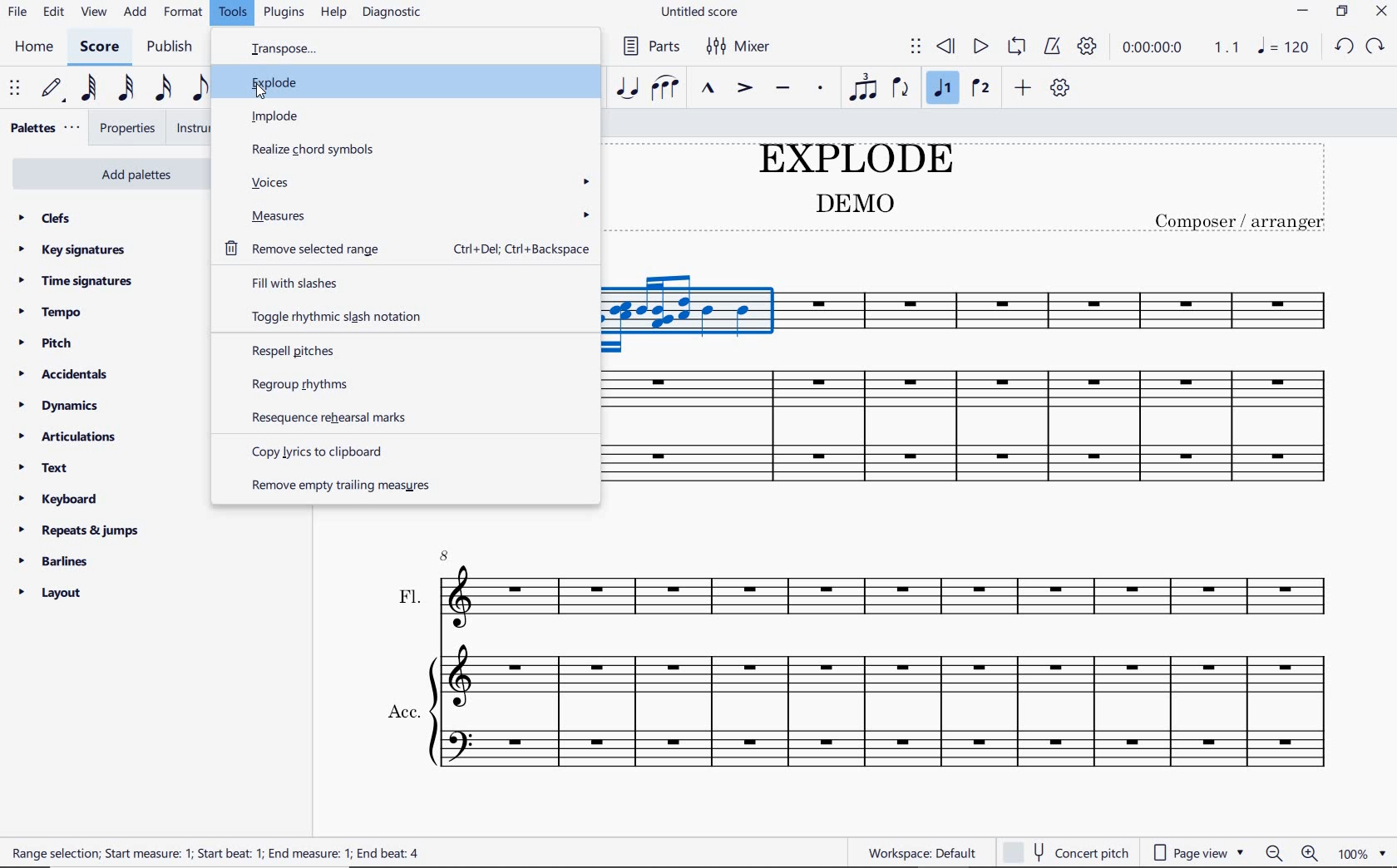 The width and height of the screenshot is (1397, 868). What do you see at coordinates (82, 530) in the screenshot?
I see `repeats & jumps` at bounding box center [82, 530].